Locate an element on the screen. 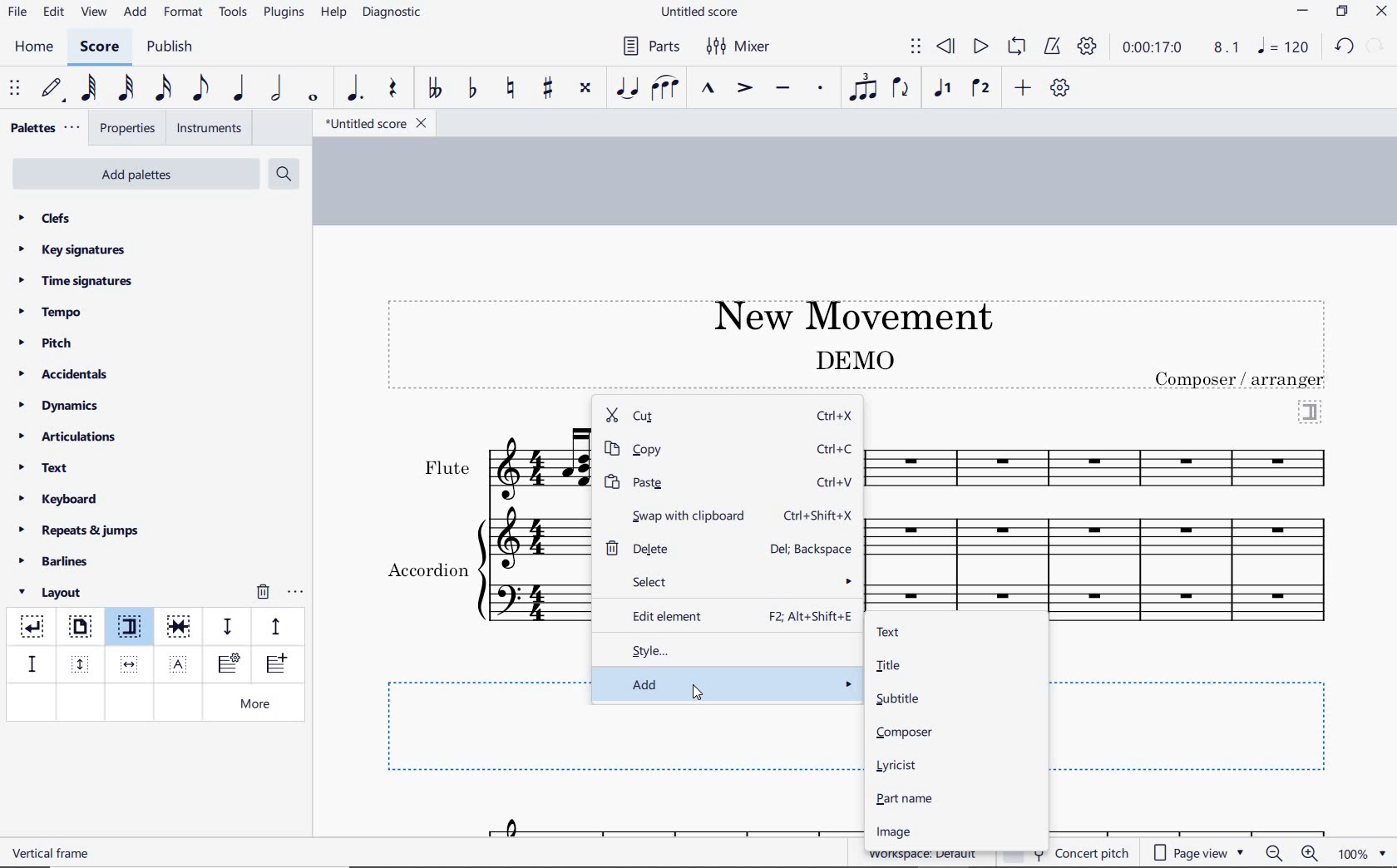 Image resolution: width=1397 pixels, height=868 pixels. half note is located at coordinates (276, 89).